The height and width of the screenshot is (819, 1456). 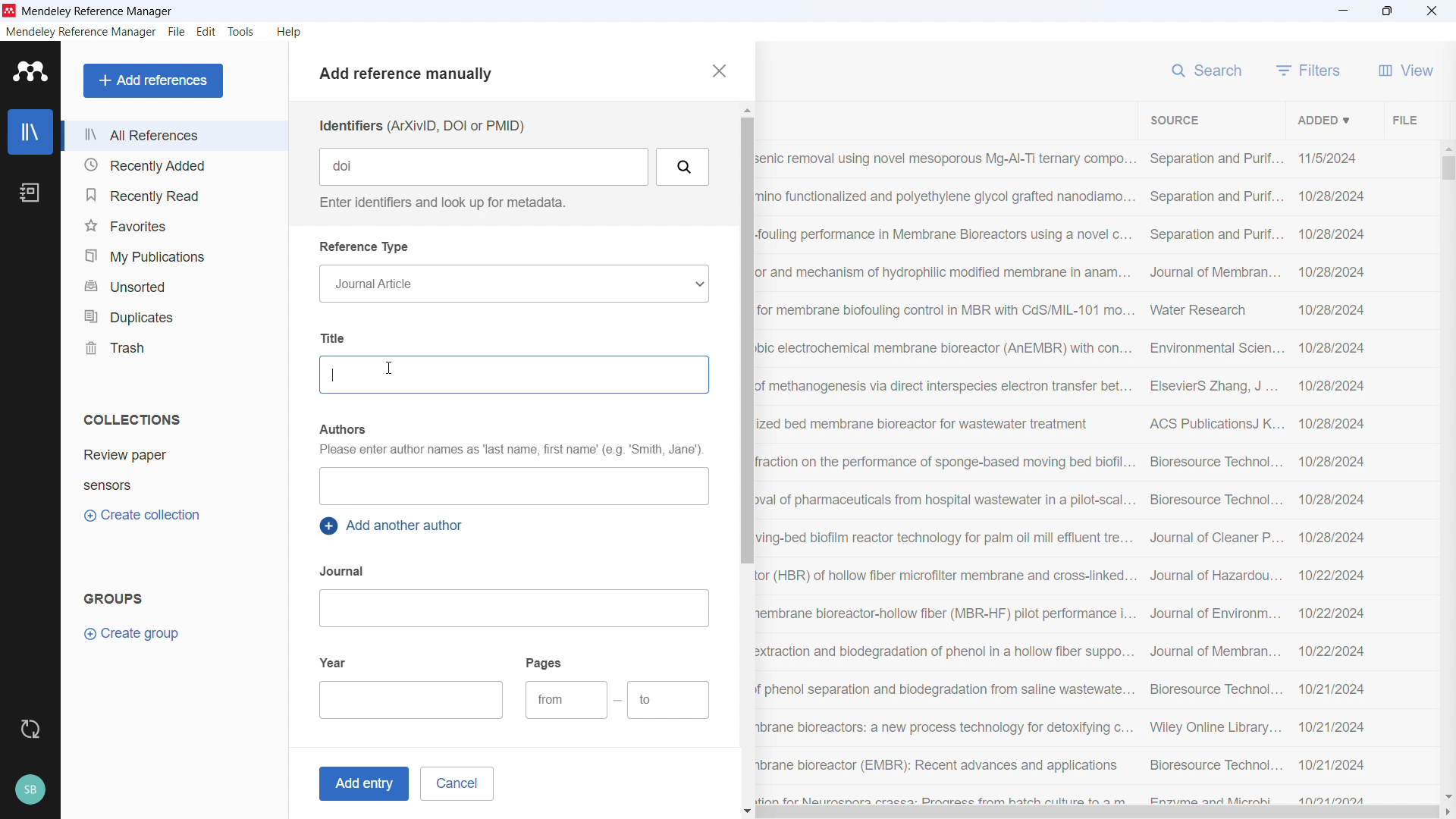 I want to click on File , so click(x=1403, y=119).